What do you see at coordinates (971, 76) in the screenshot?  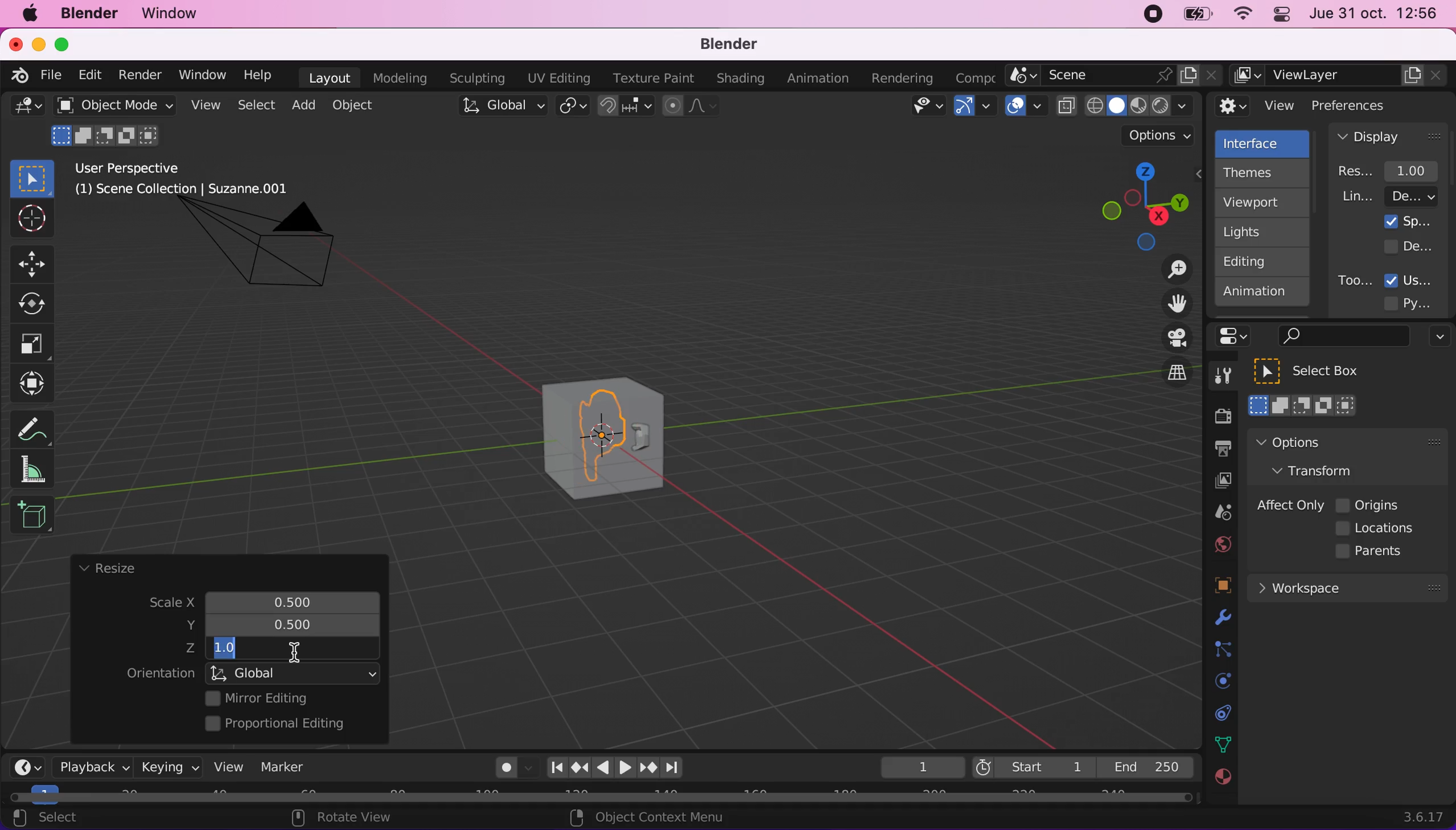 I see `active workspace` at bounding box center [971, 76].